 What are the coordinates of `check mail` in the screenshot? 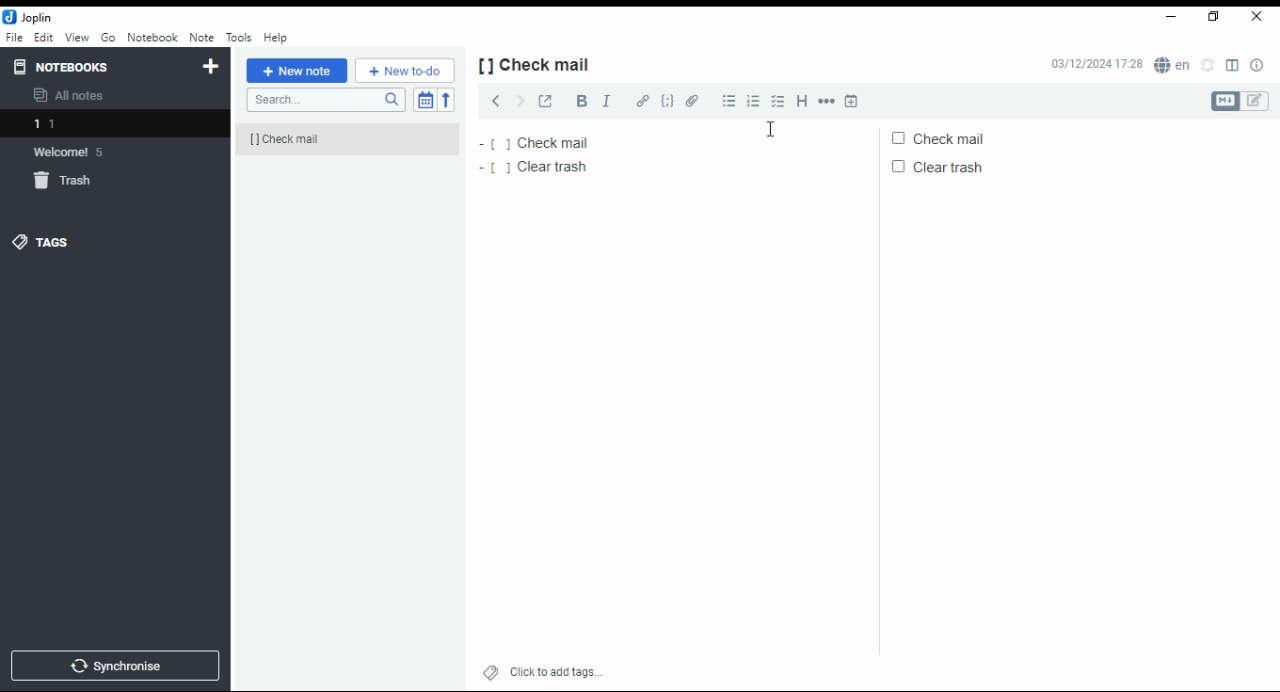 It's located at (540, 142).